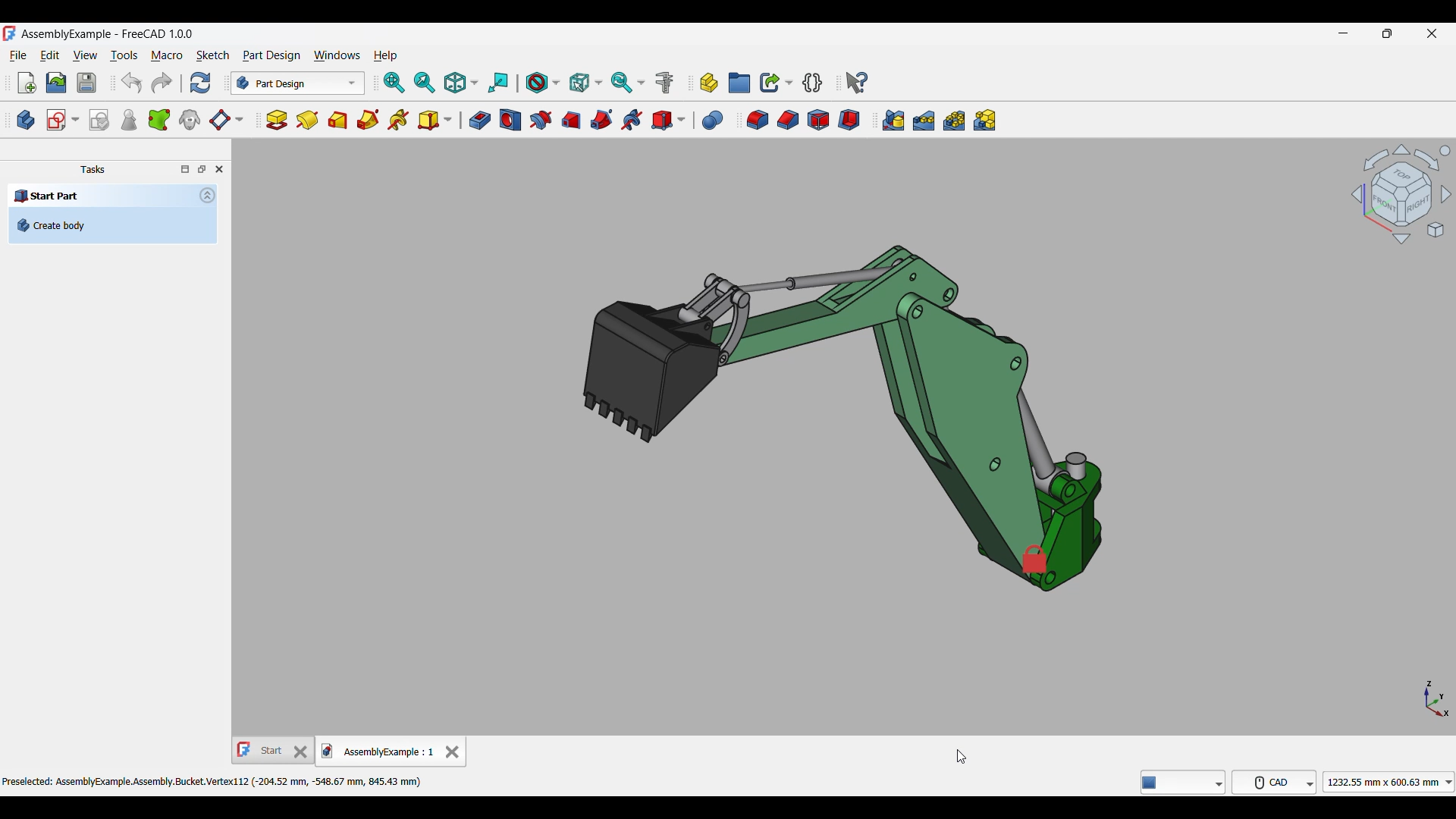 Image resolution: width=1456 pixels, height=819 pixels. I want to click on Toggle floating window, so click(202, 168).